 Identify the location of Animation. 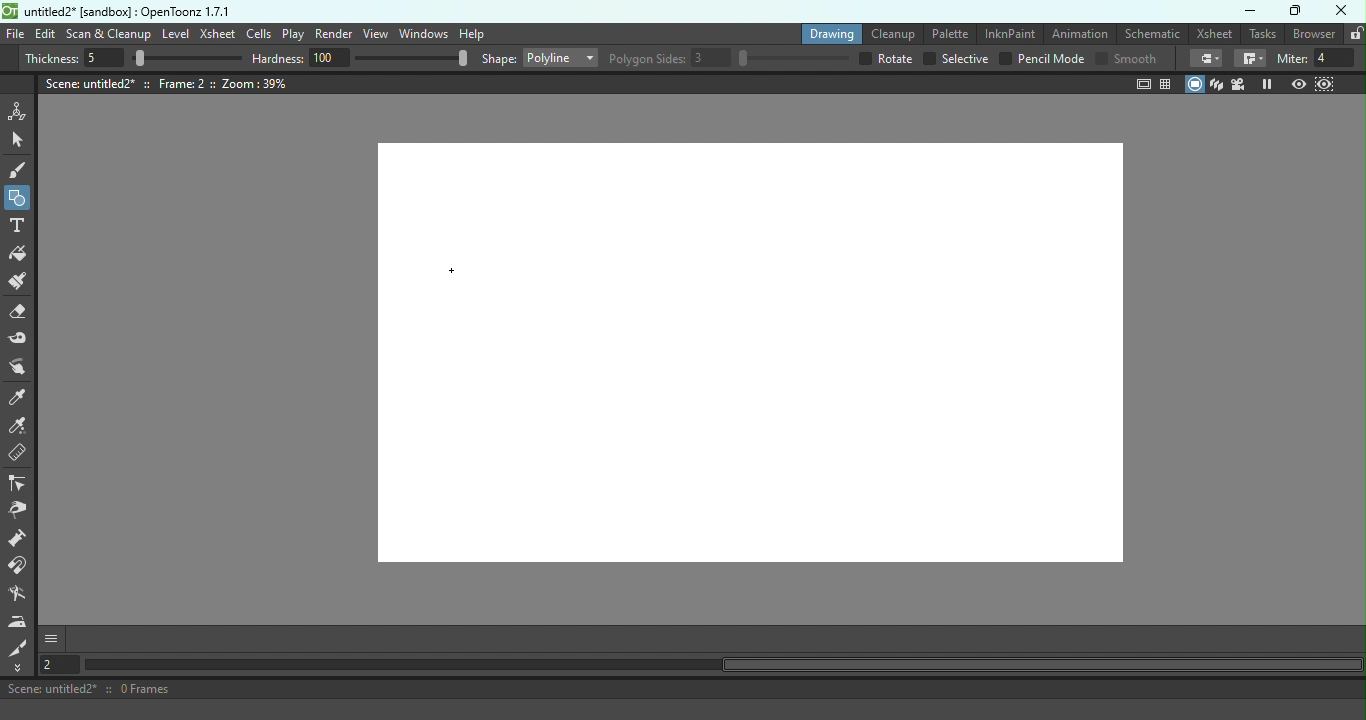
(1078, 34).